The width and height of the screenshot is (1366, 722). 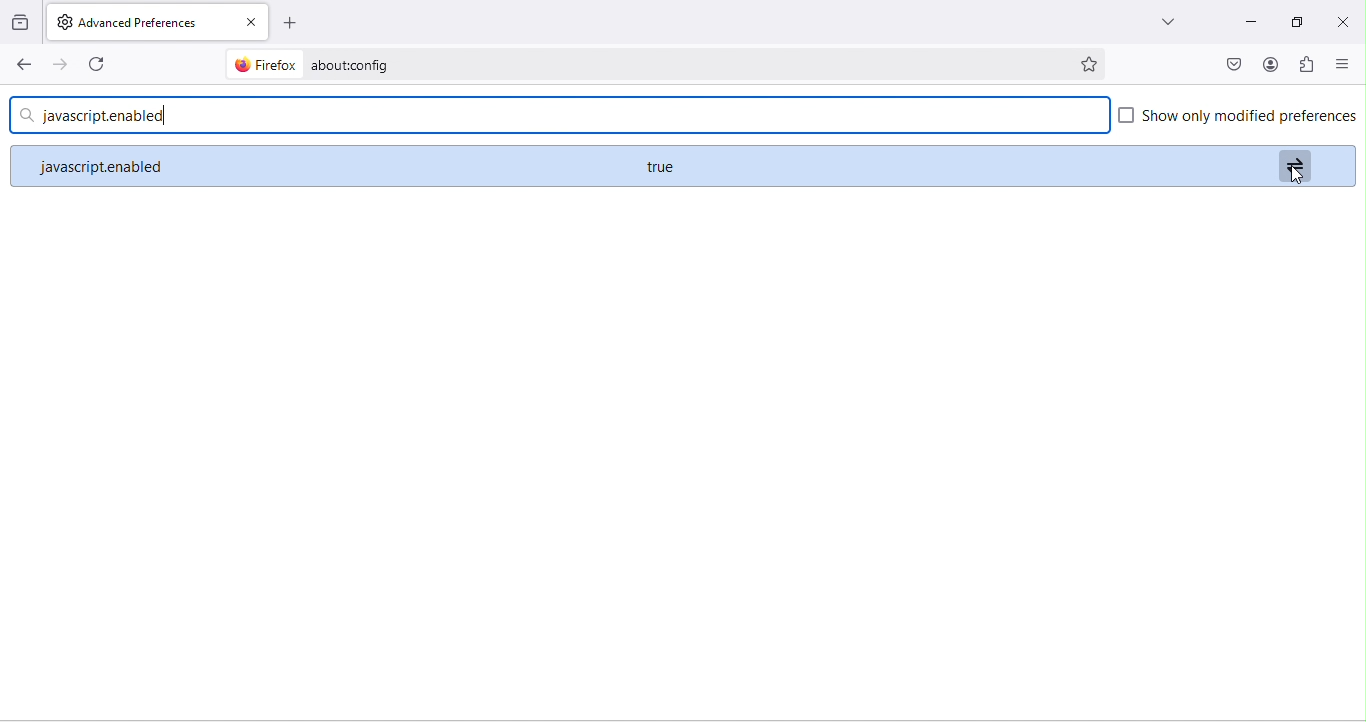 I want to click on toggle, so click(x=1296, y=163).